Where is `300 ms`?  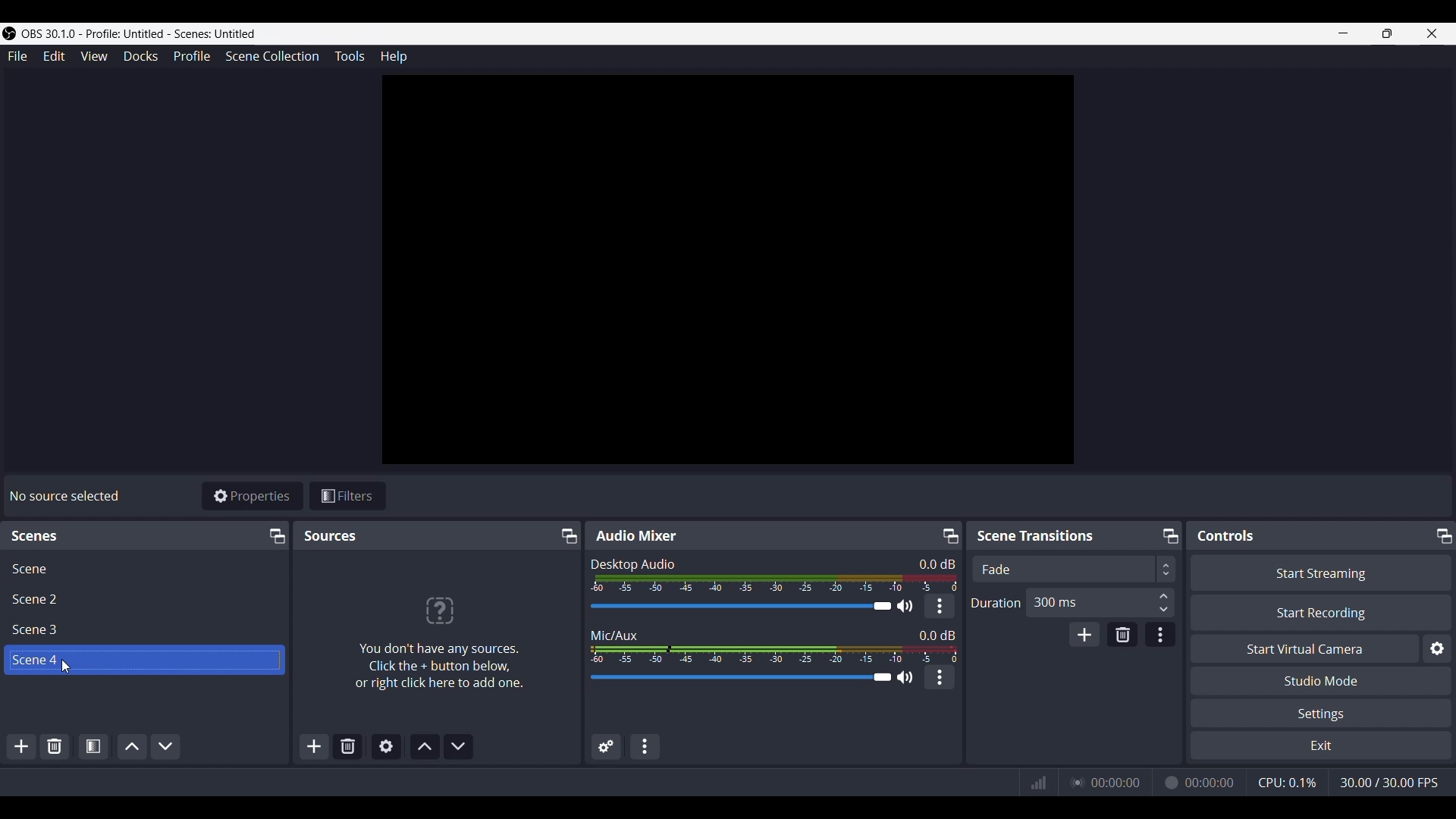
300 ms is located at coordinates (1055, 601).